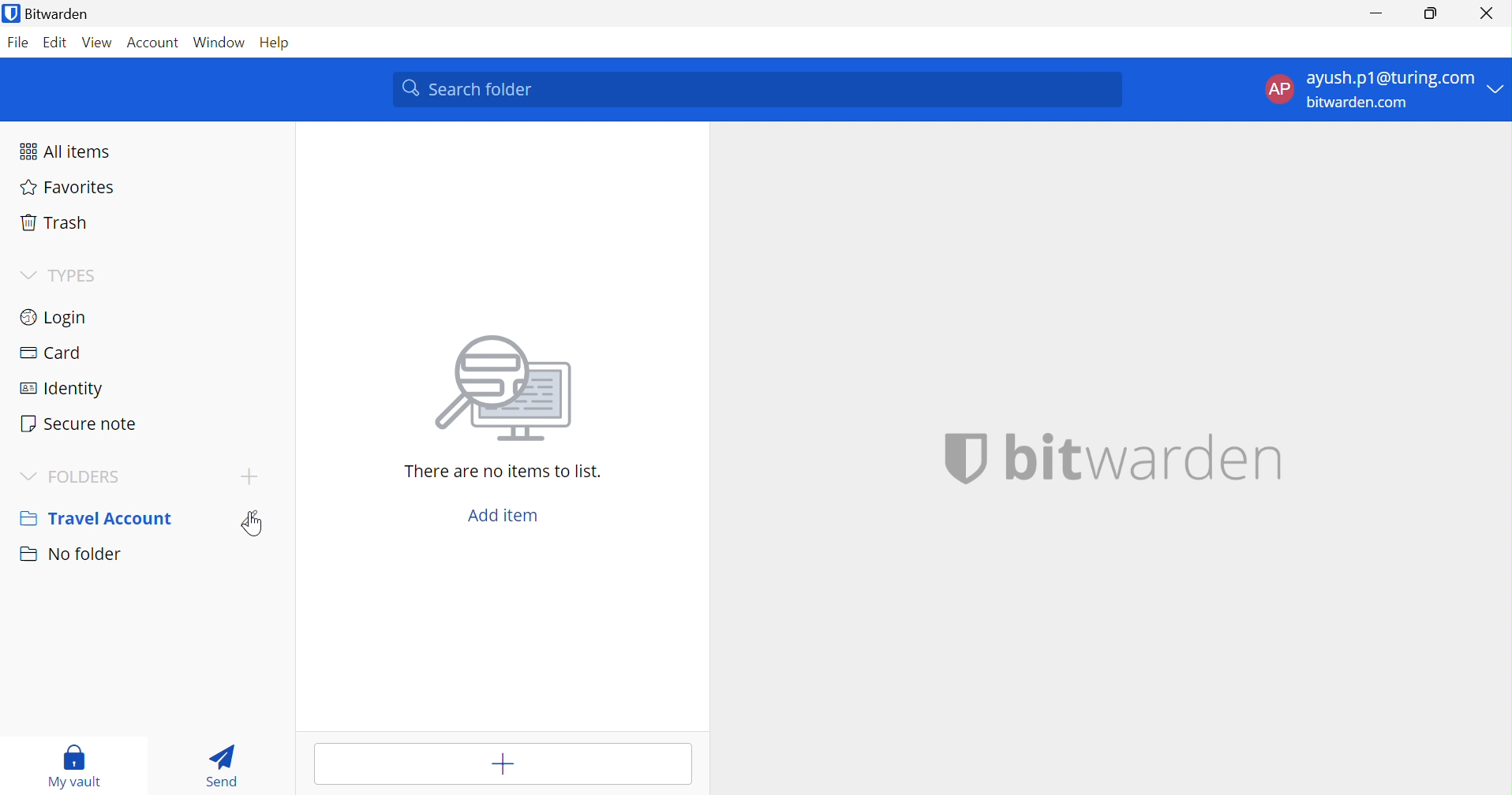 The width and height of the screenshot is (1512, 795). What do you see at coordinates (56, 315) in the screenshot?
I see `Login` at bounding box center [56, 315].